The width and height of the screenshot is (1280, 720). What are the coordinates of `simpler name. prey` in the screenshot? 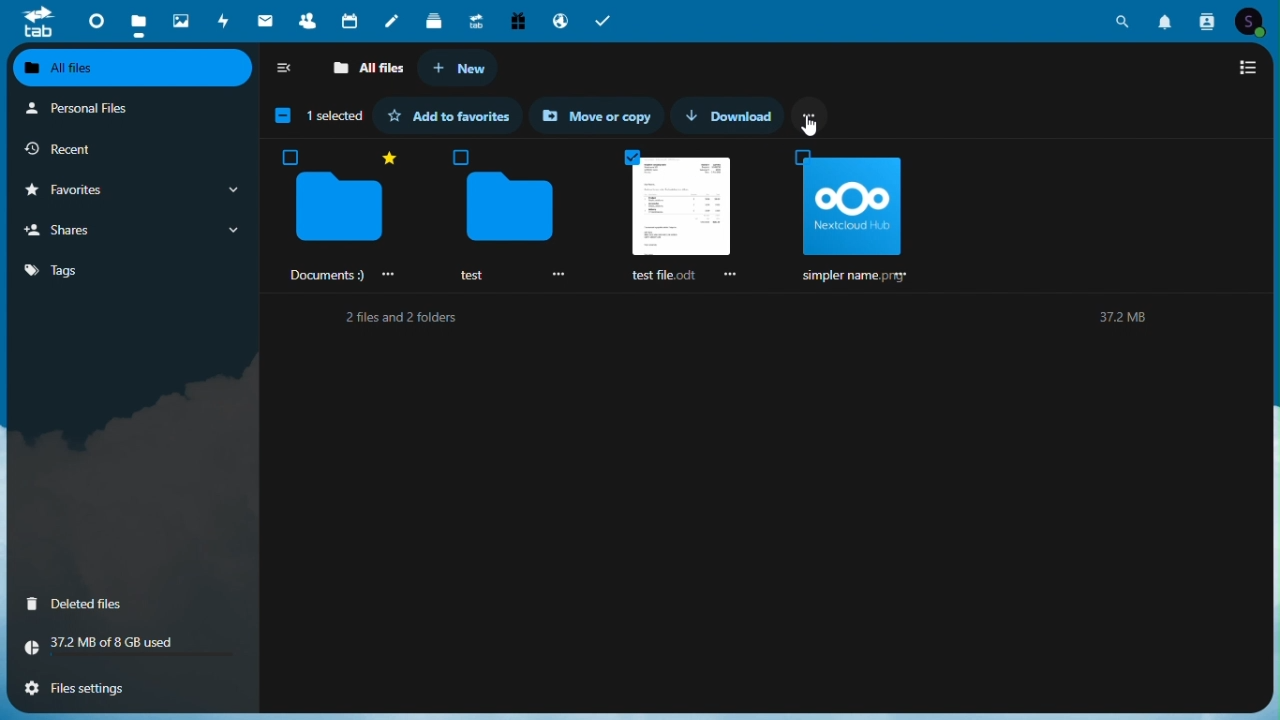 It's located at (856, 218).